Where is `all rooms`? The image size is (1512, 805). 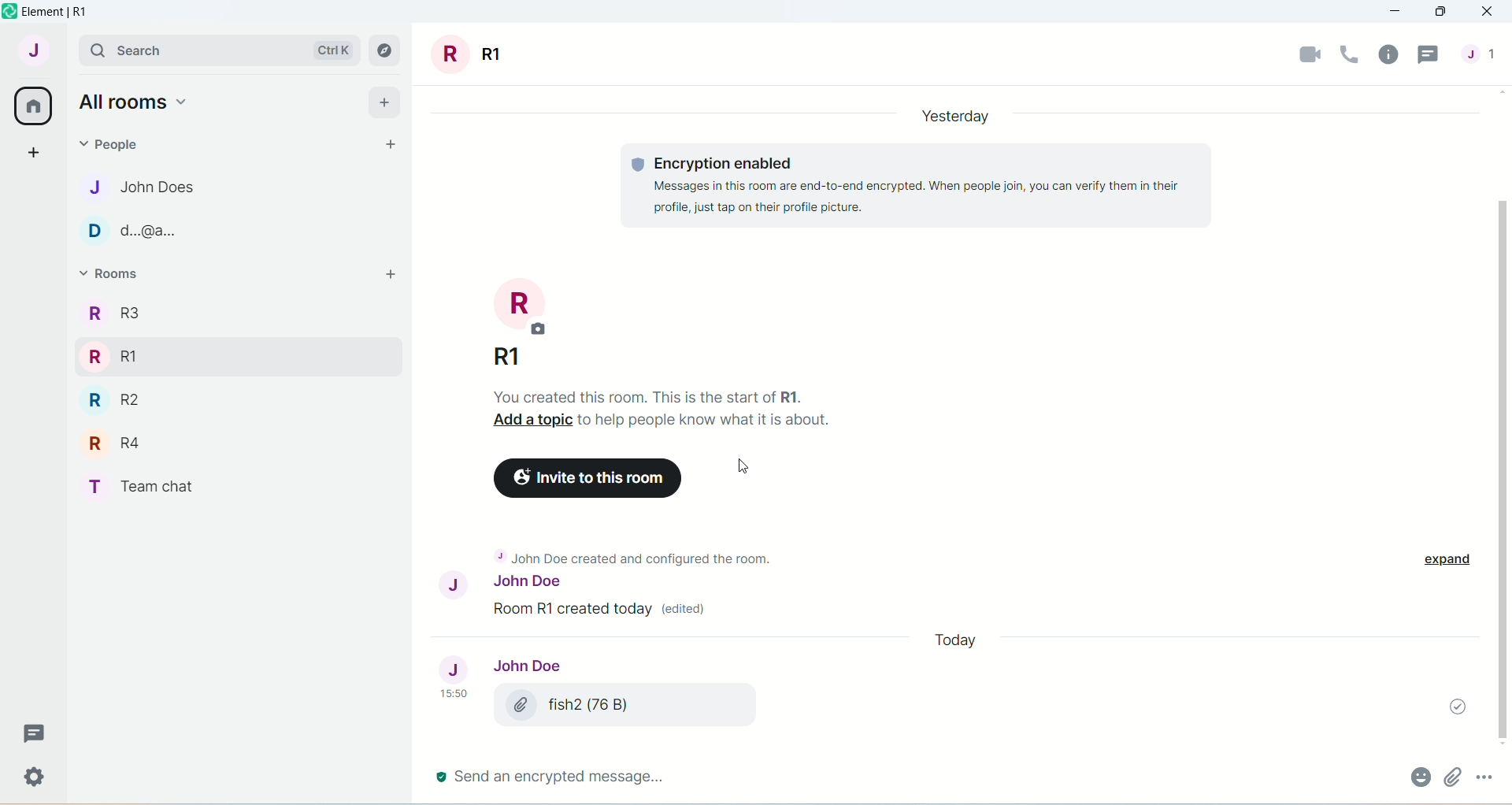 all rooms is located at coordinates (34, 107).